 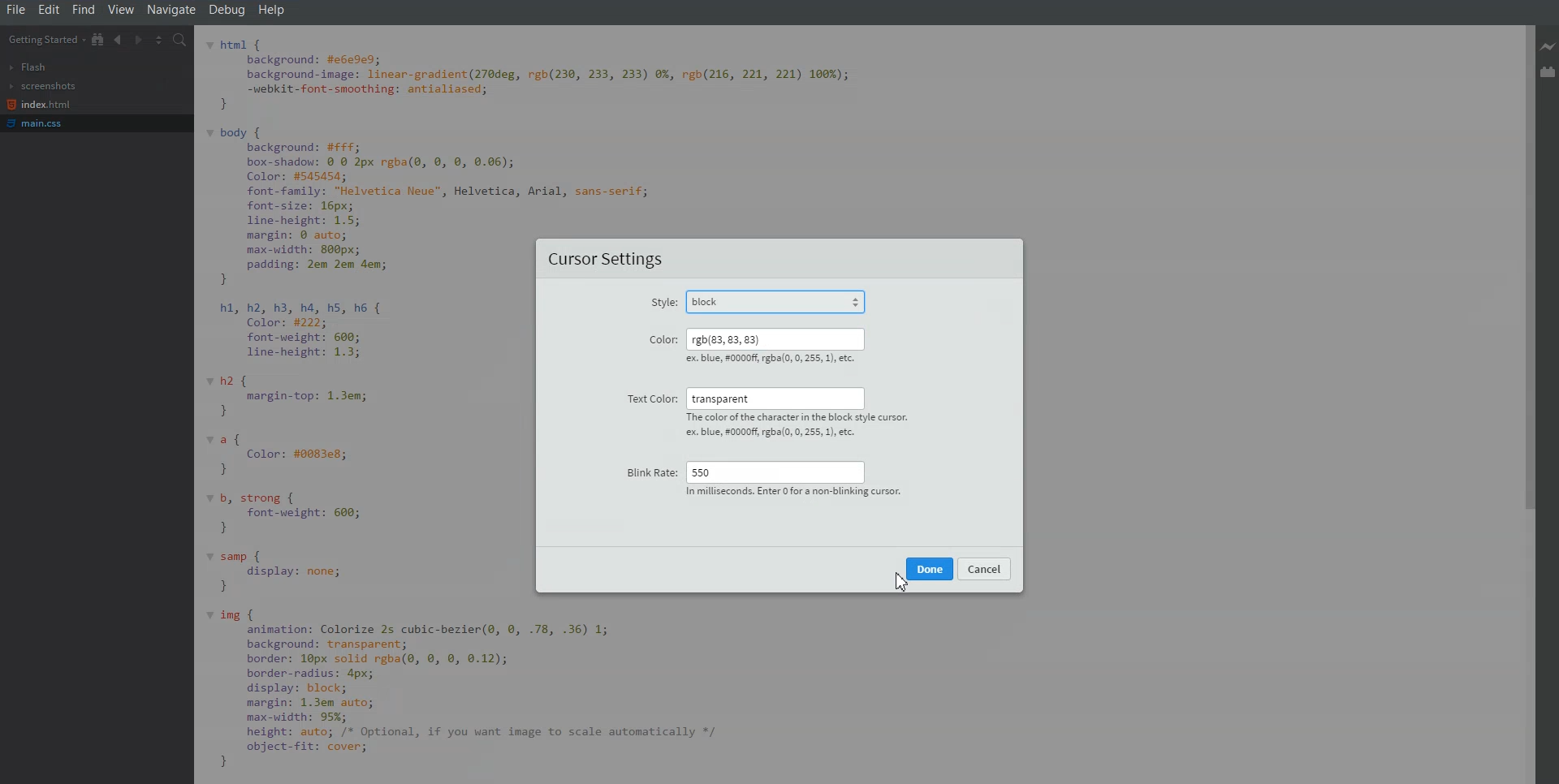 What do you see at coordinates (1524, 404) in the screenshot?
I see `Vertical Scroll bar` at bounding box center [1524, 404].